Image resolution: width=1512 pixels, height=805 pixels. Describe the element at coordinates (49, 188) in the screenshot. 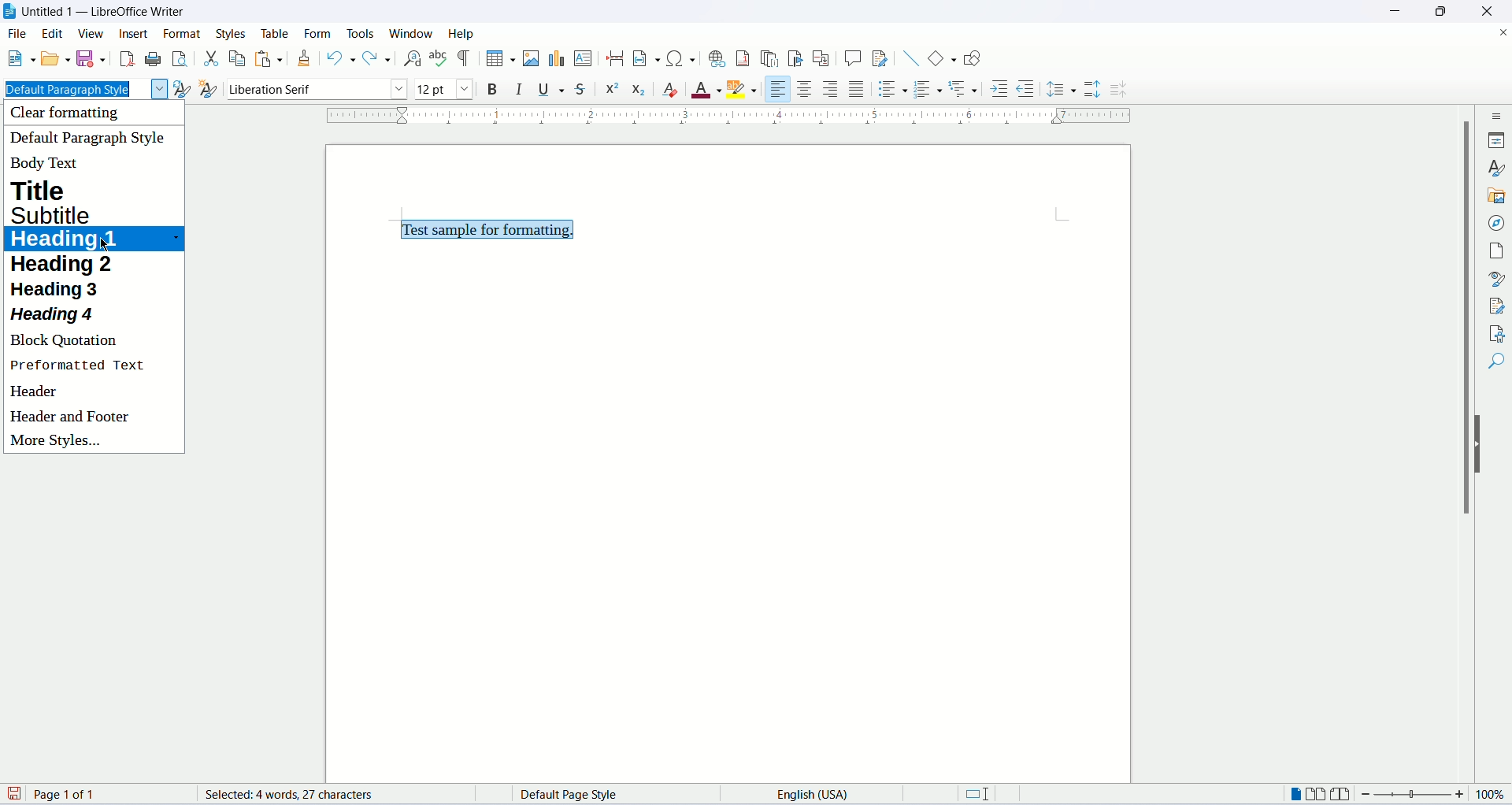

I see `title` at that location.